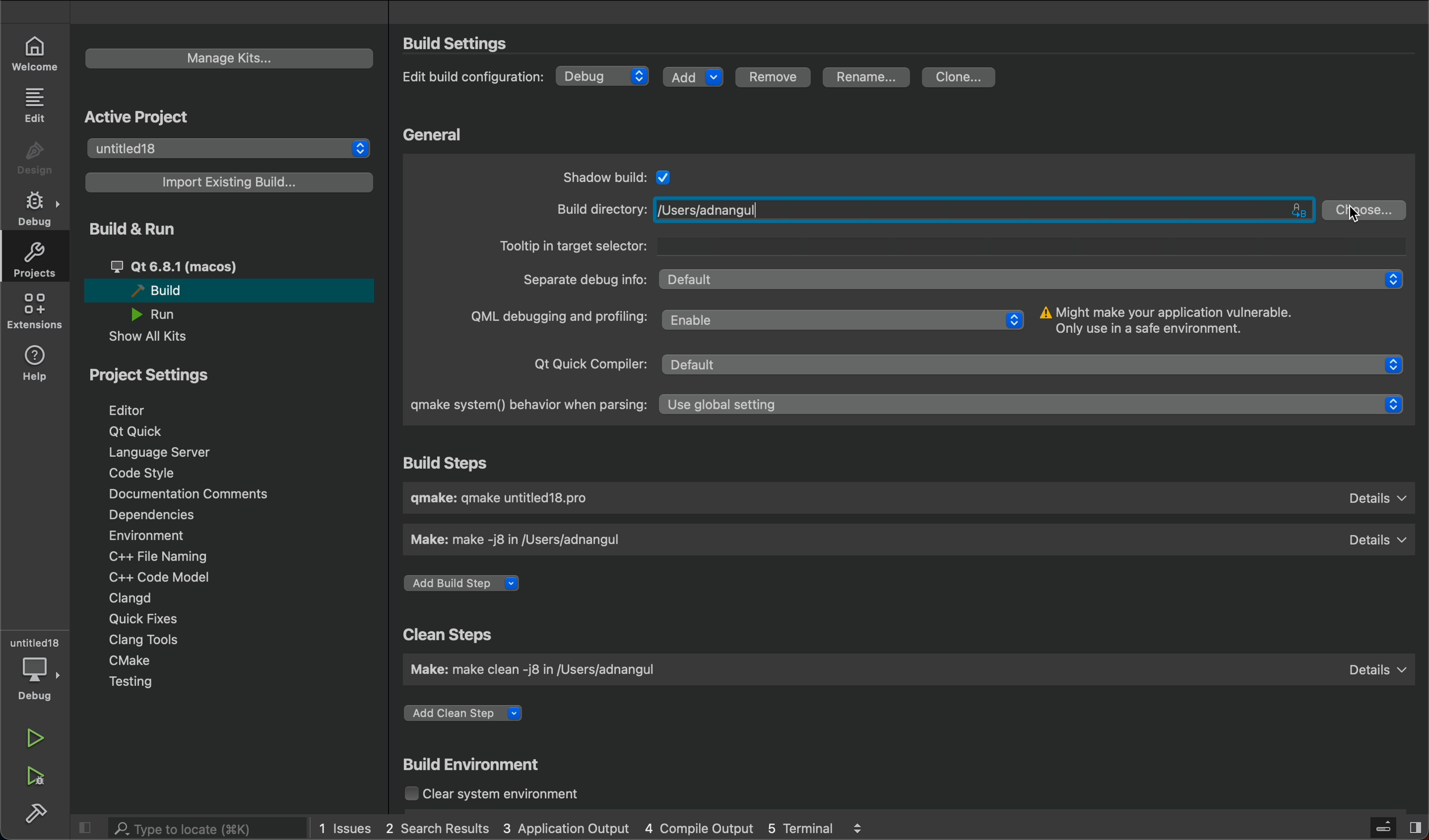 The image size is (1429, 840). Describe the element at coordinates (37, 814) in the screenshot. I see `build` at that location.